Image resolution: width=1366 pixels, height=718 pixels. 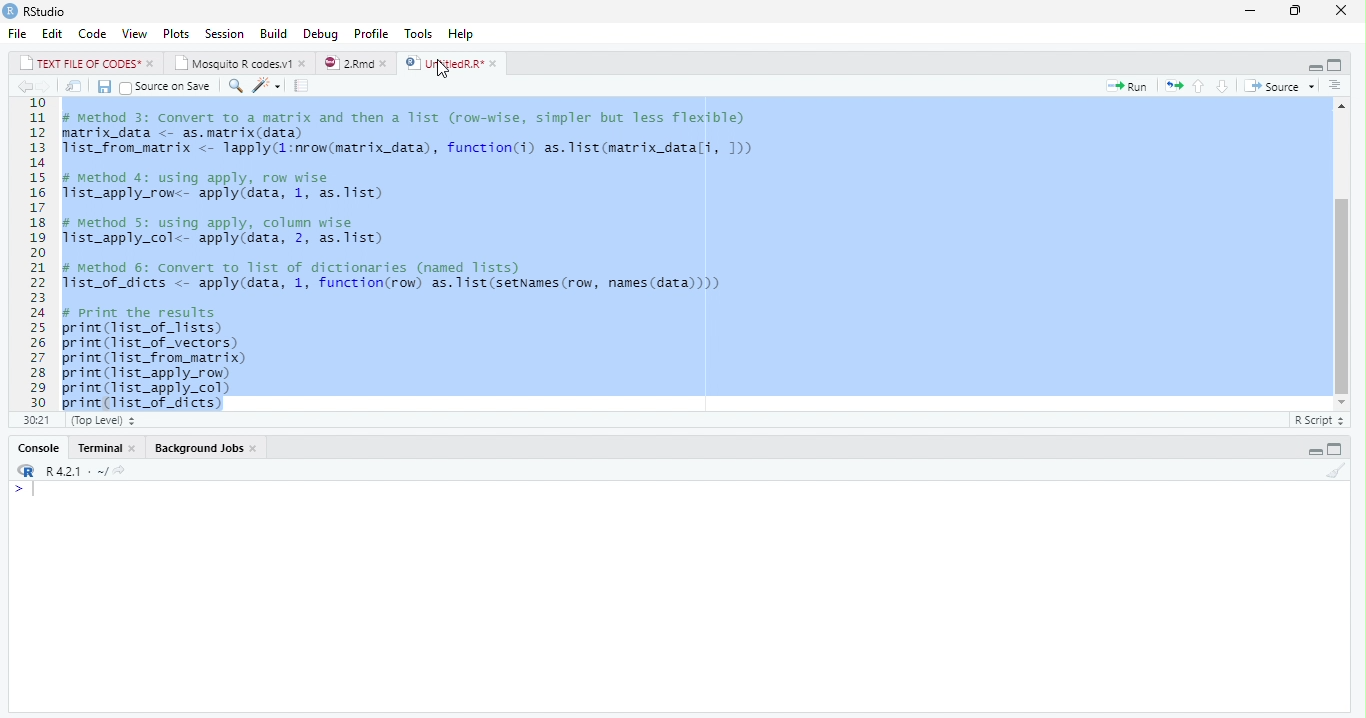 What do you see at coordinates (135, 32) in the screenshot?
I see `View` at bounding box center [135, 32].